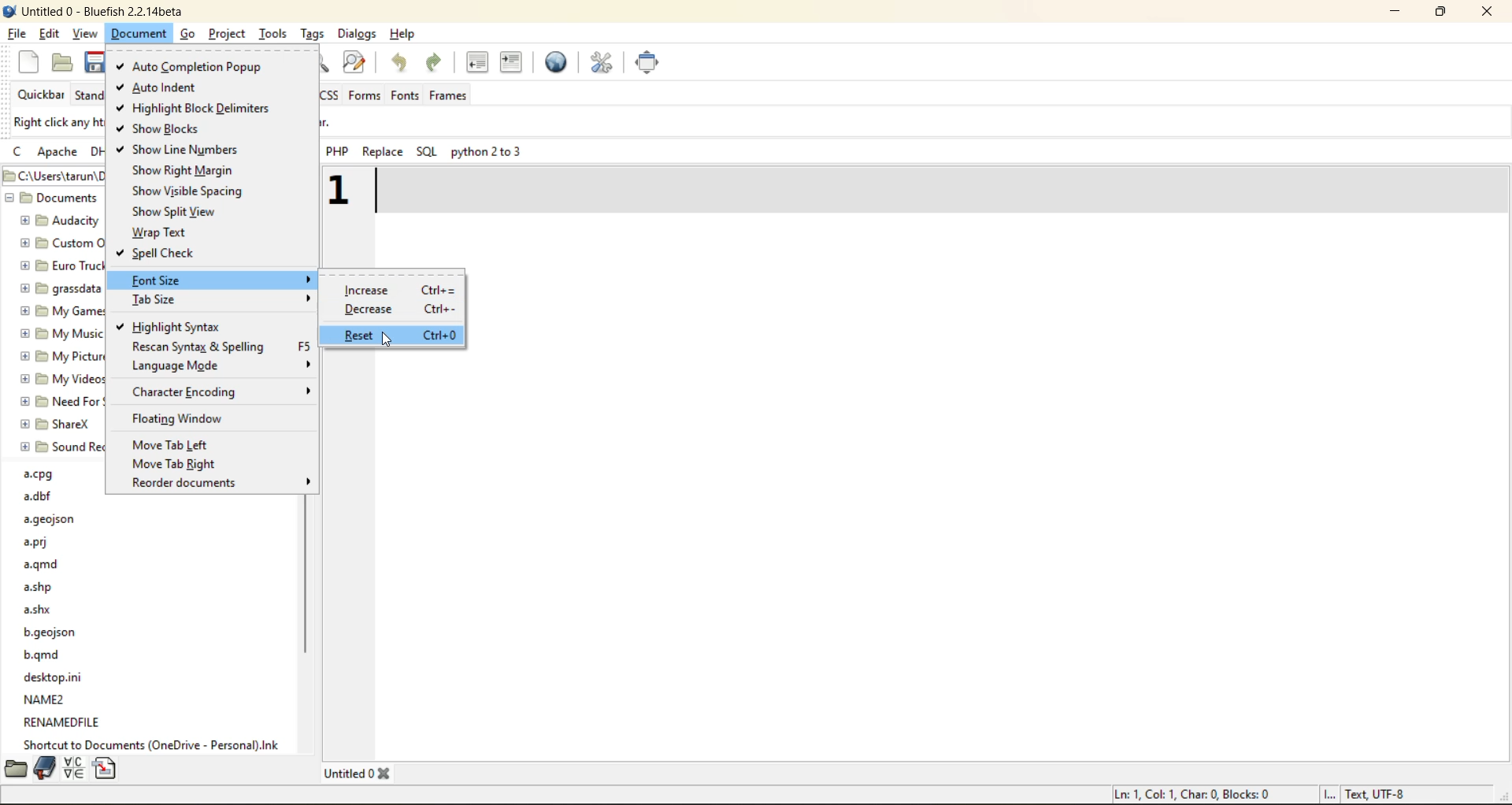  Describe the element at coordinates (404, 35) in the screenshot. I see `help` at that location.